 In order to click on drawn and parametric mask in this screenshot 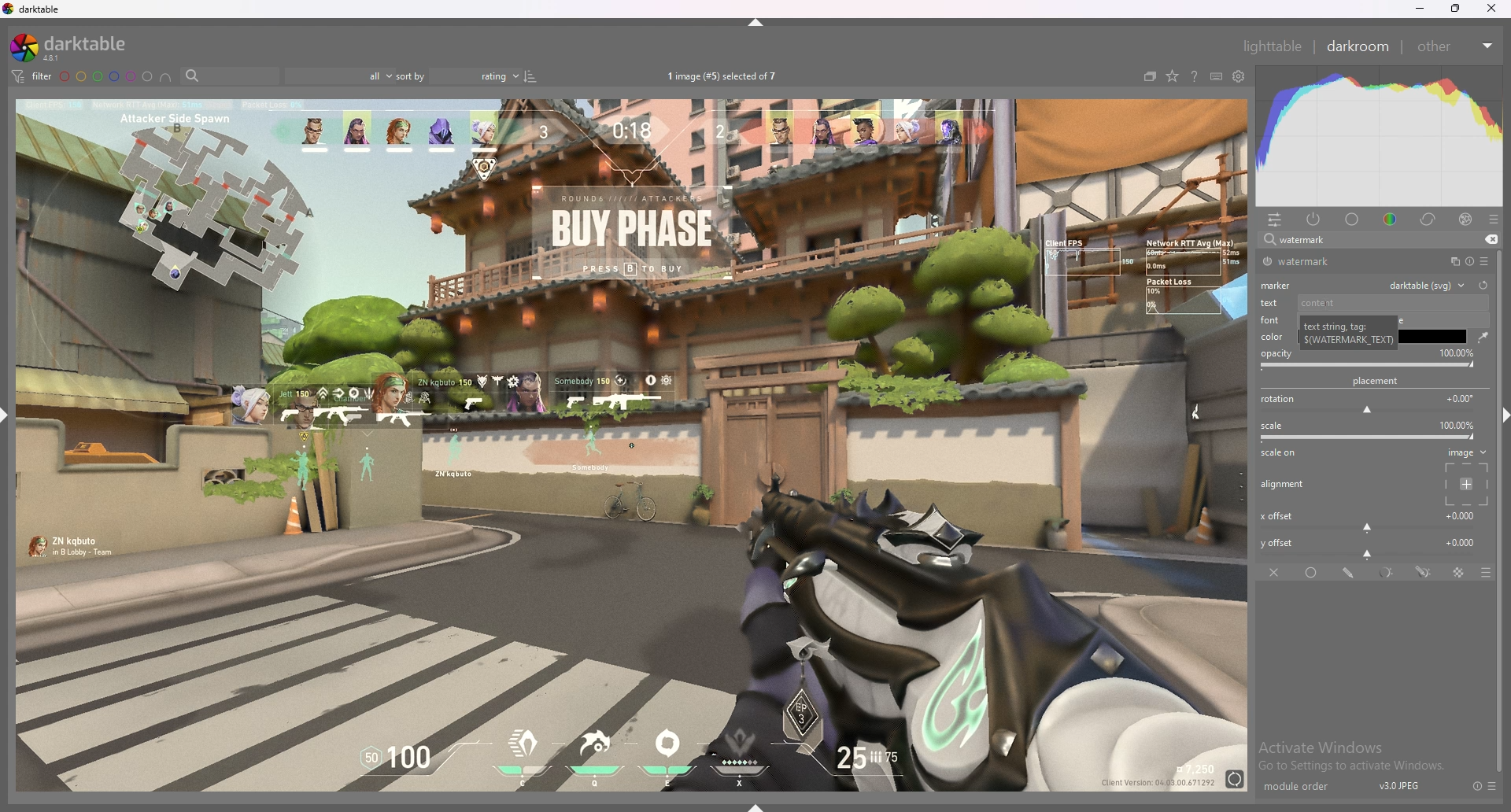, I will do `click(1424, 571)`.